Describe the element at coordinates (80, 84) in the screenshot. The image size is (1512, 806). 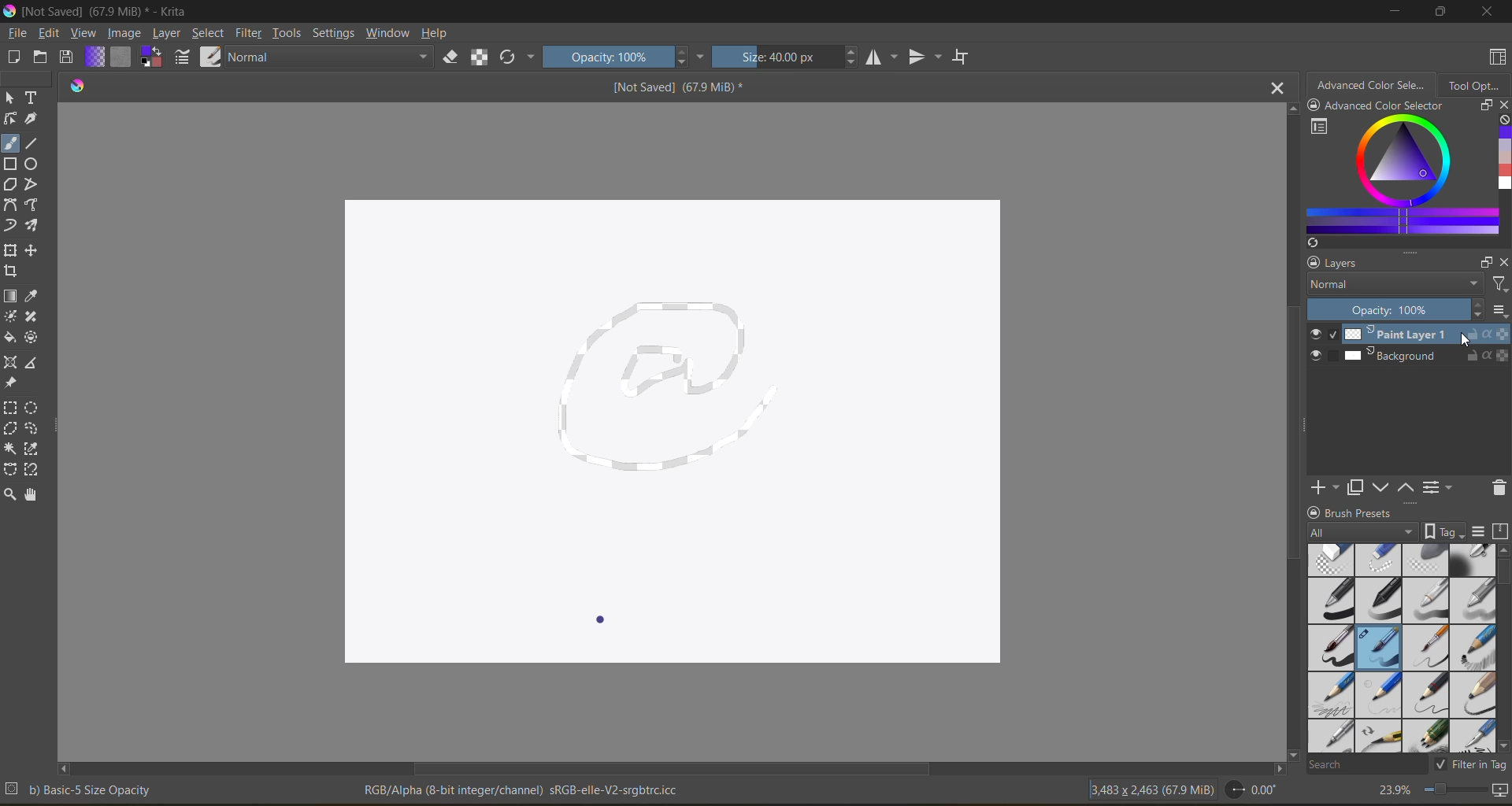
I see `logo` at that location.